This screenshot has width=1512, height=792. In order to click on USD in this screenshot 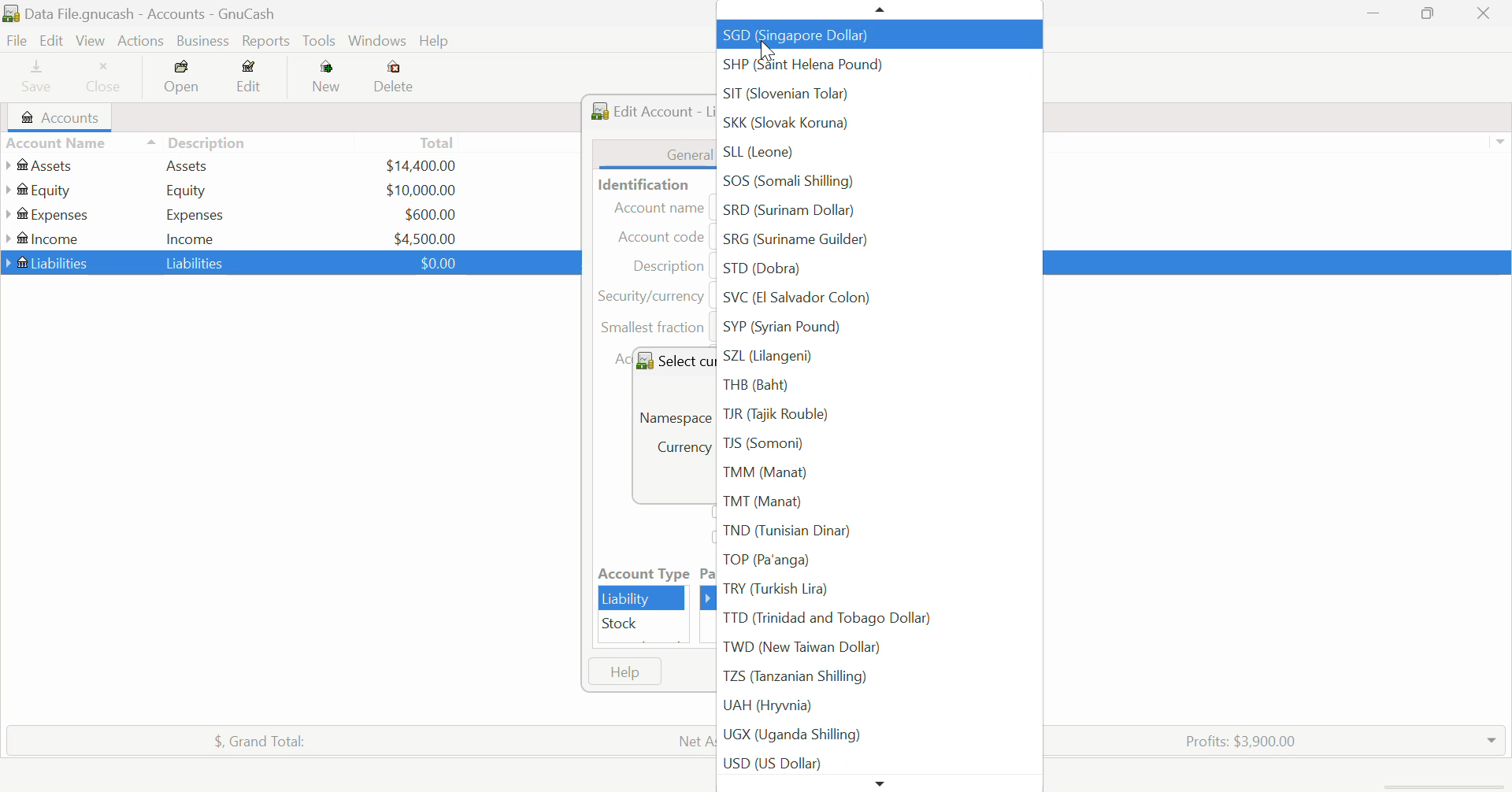, I will do `click(434, 262)`.